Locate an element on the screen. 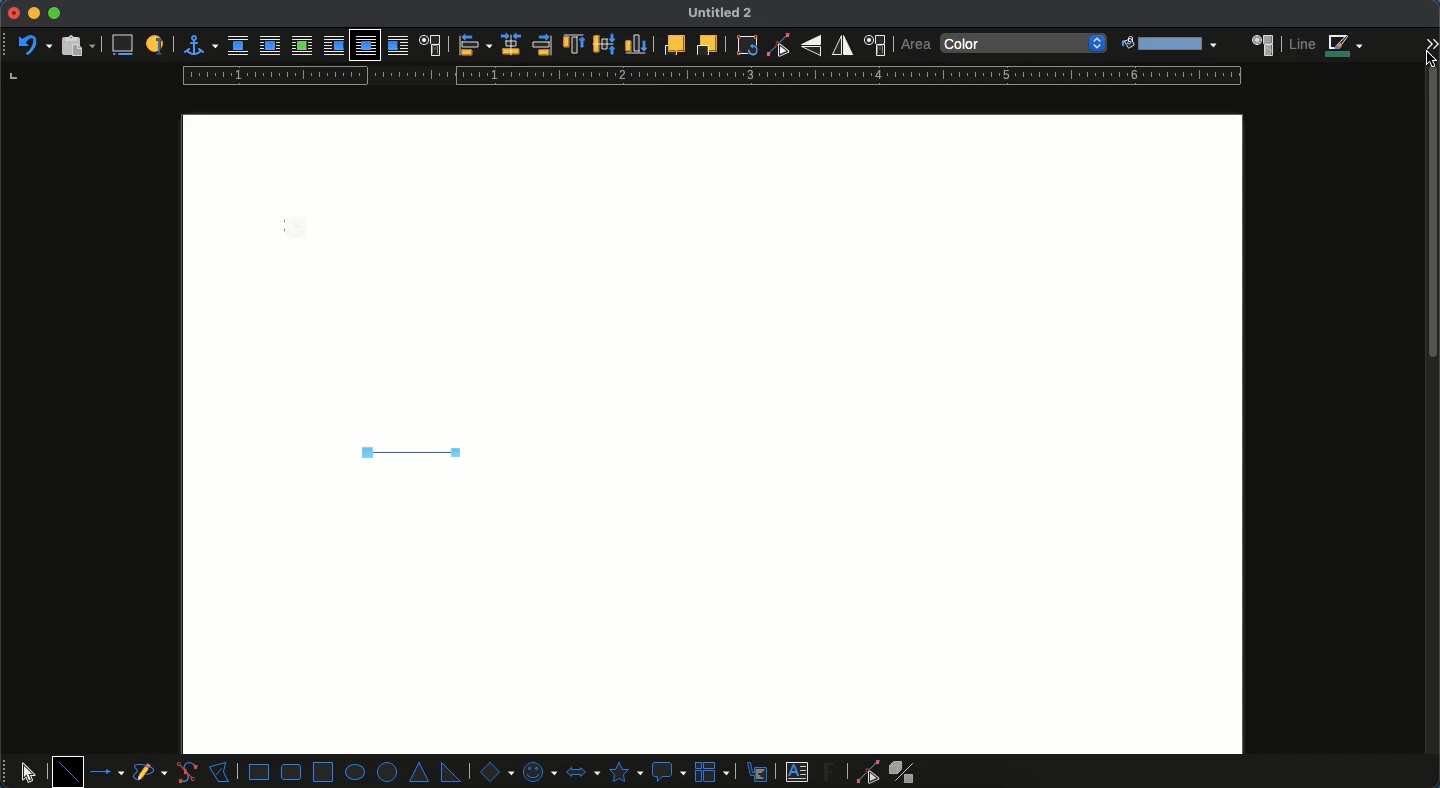 Image resolution: width=1440 pixels, height=788 pixels. a label to identify object is located at coordinates (155, 46).